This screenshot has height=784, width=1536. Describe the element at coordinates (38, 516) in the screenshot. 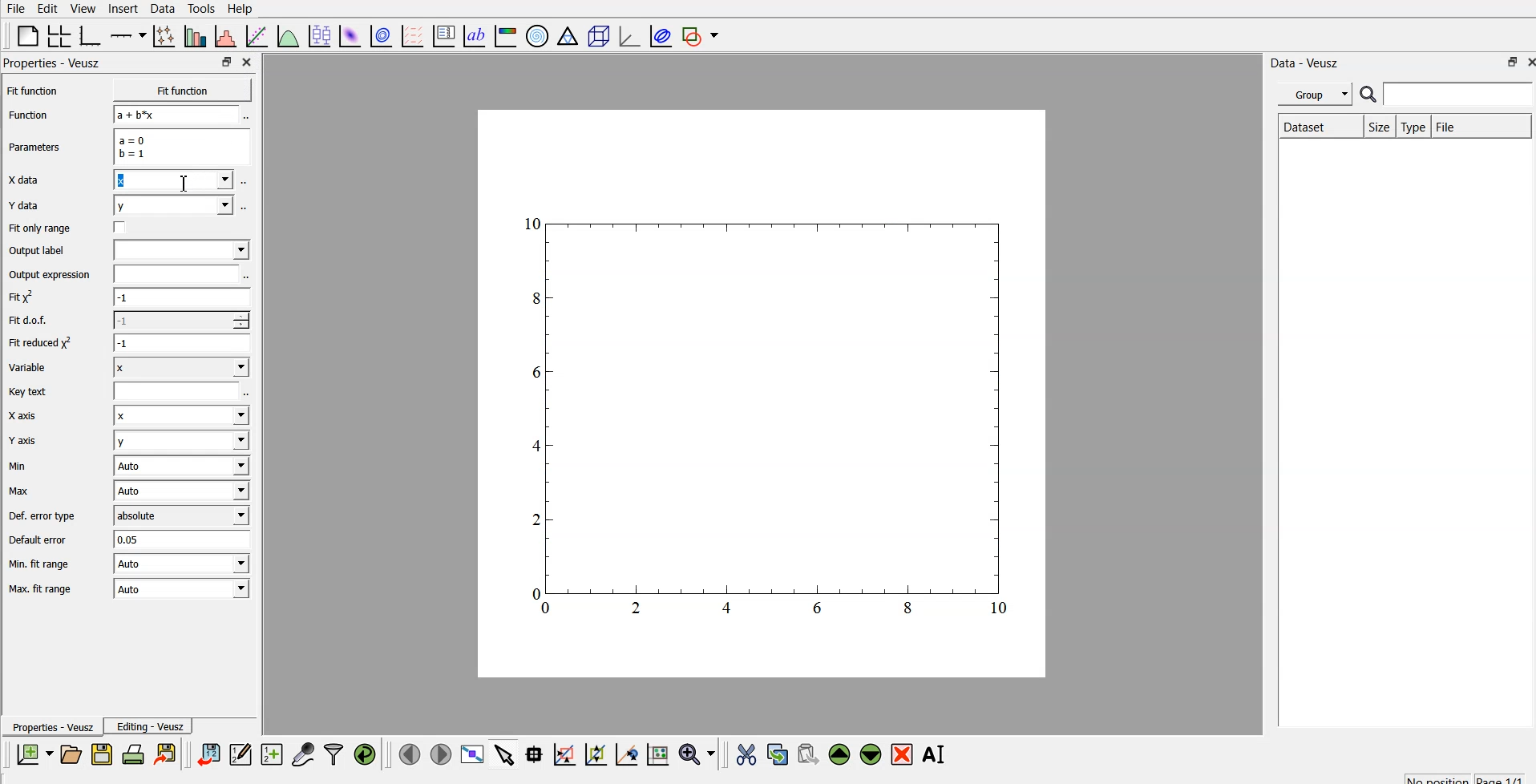

I see `Def. error type` at that location.